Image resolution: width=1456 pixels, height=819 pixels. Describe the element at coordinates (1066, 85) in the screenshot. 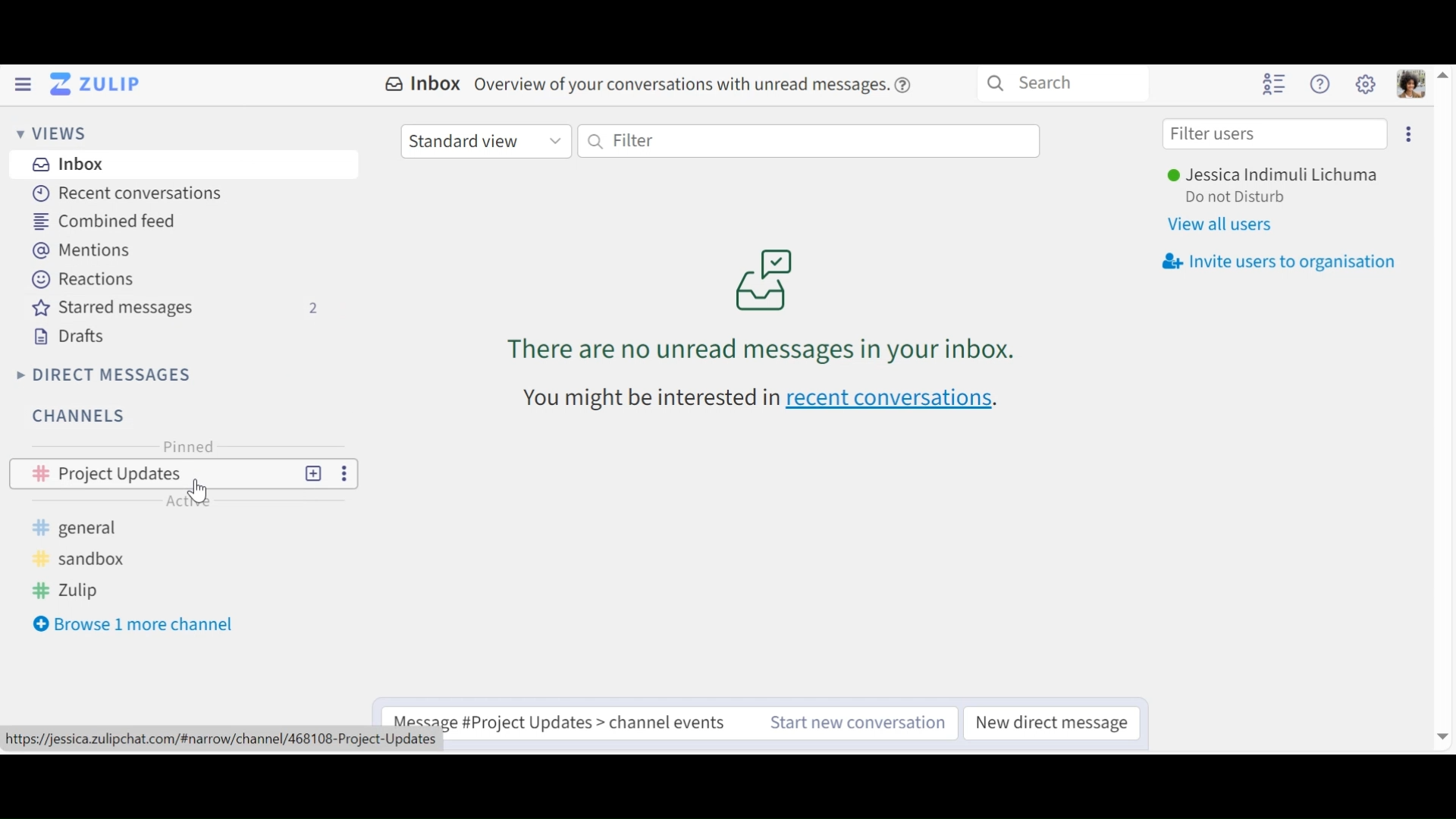

I see `Search` at that location.